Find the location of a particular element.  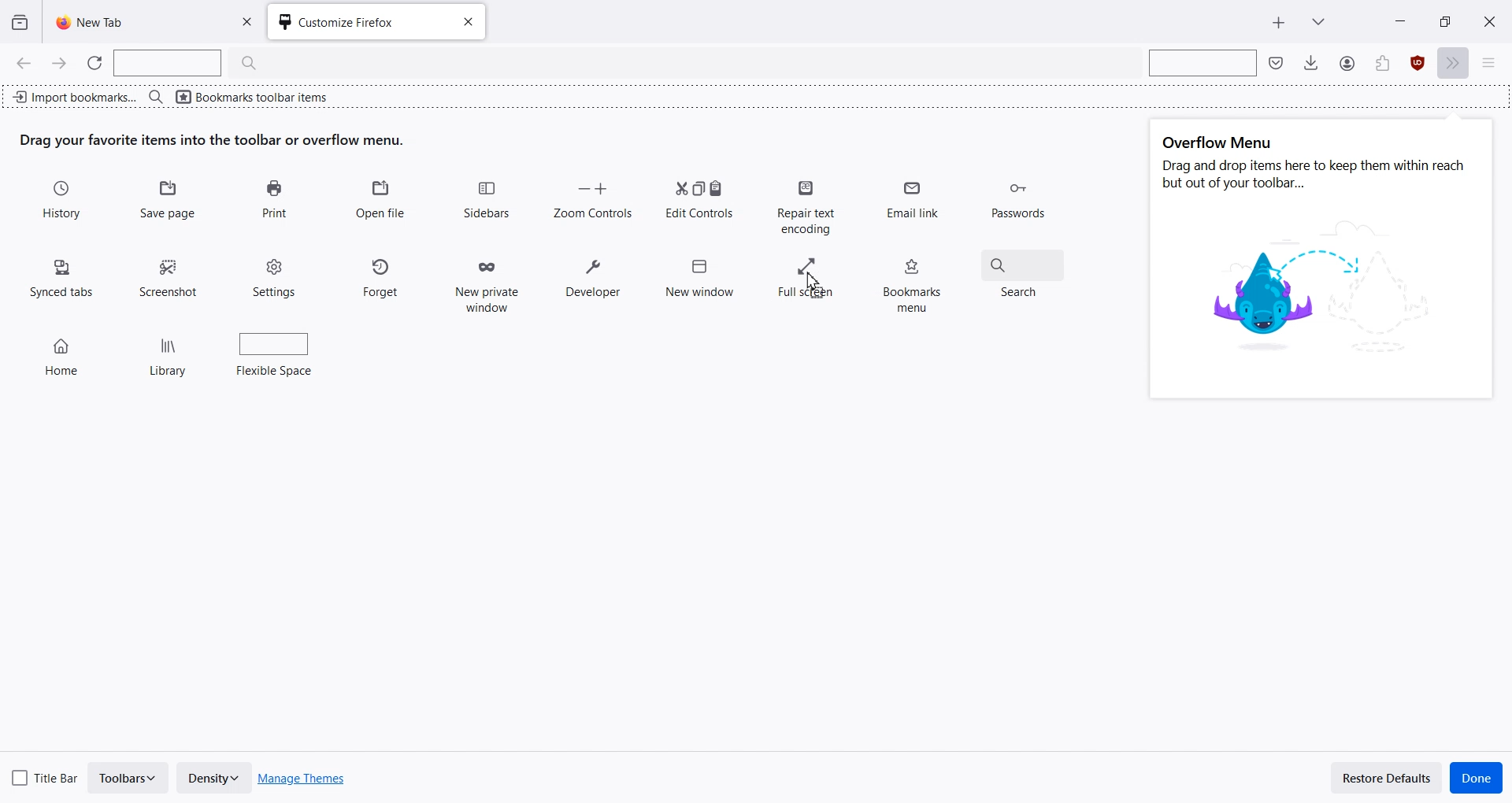

Bookmarks toolbar items is located at coordinates (270, 95).